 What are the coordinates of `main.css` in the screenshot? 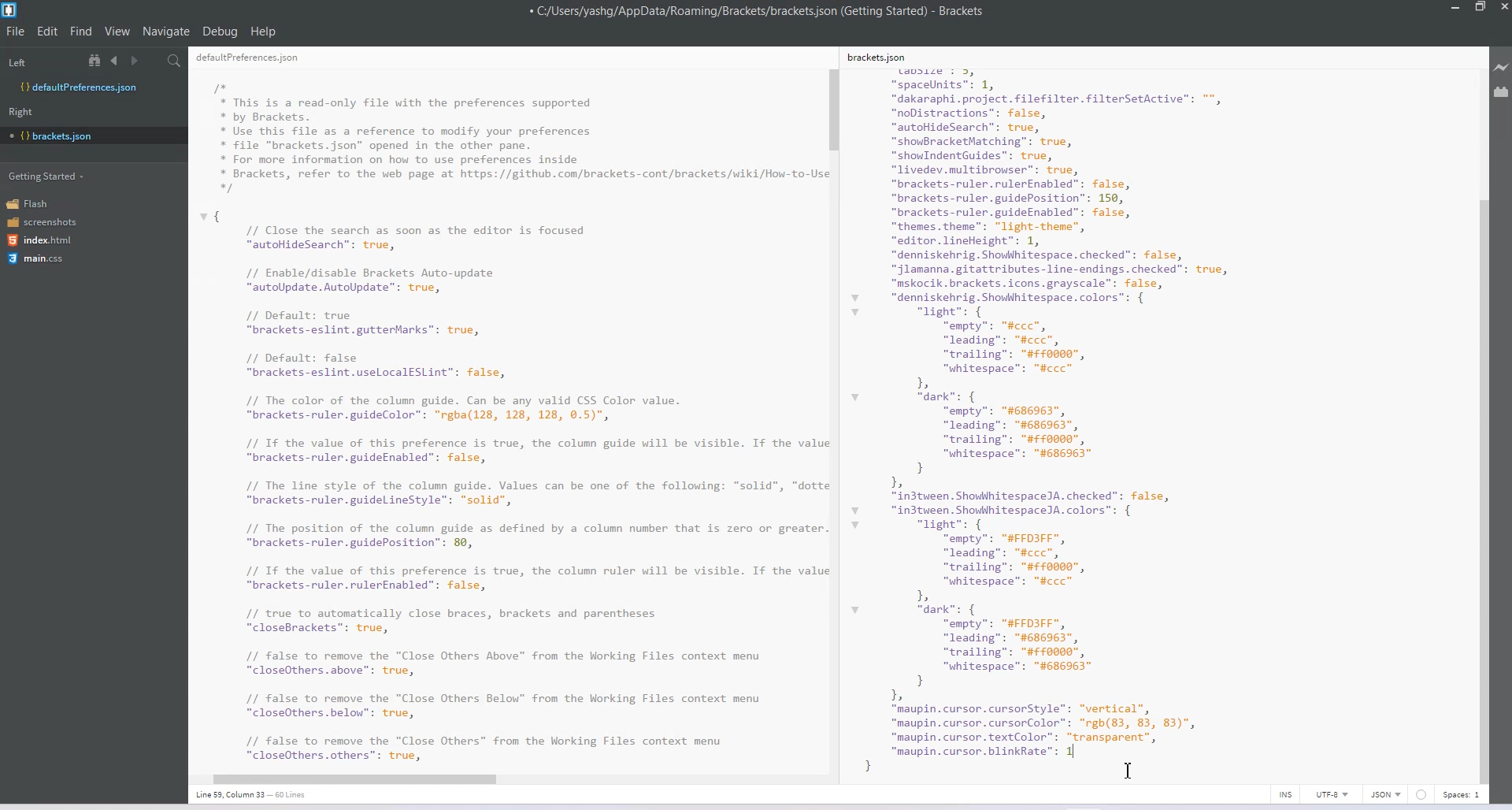 It's located at (35, 258).